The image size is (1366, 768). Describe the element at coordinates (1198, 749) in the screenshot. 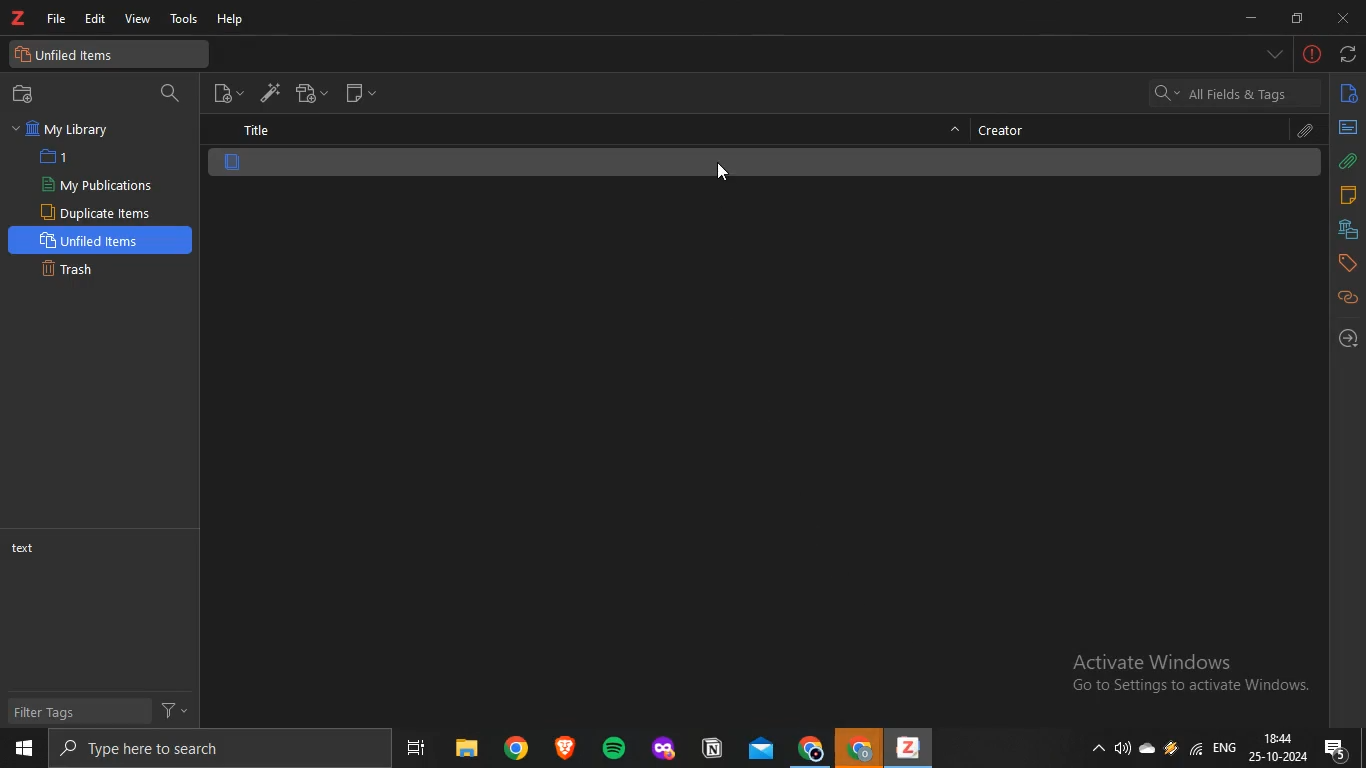

I see `wifi` at that location.